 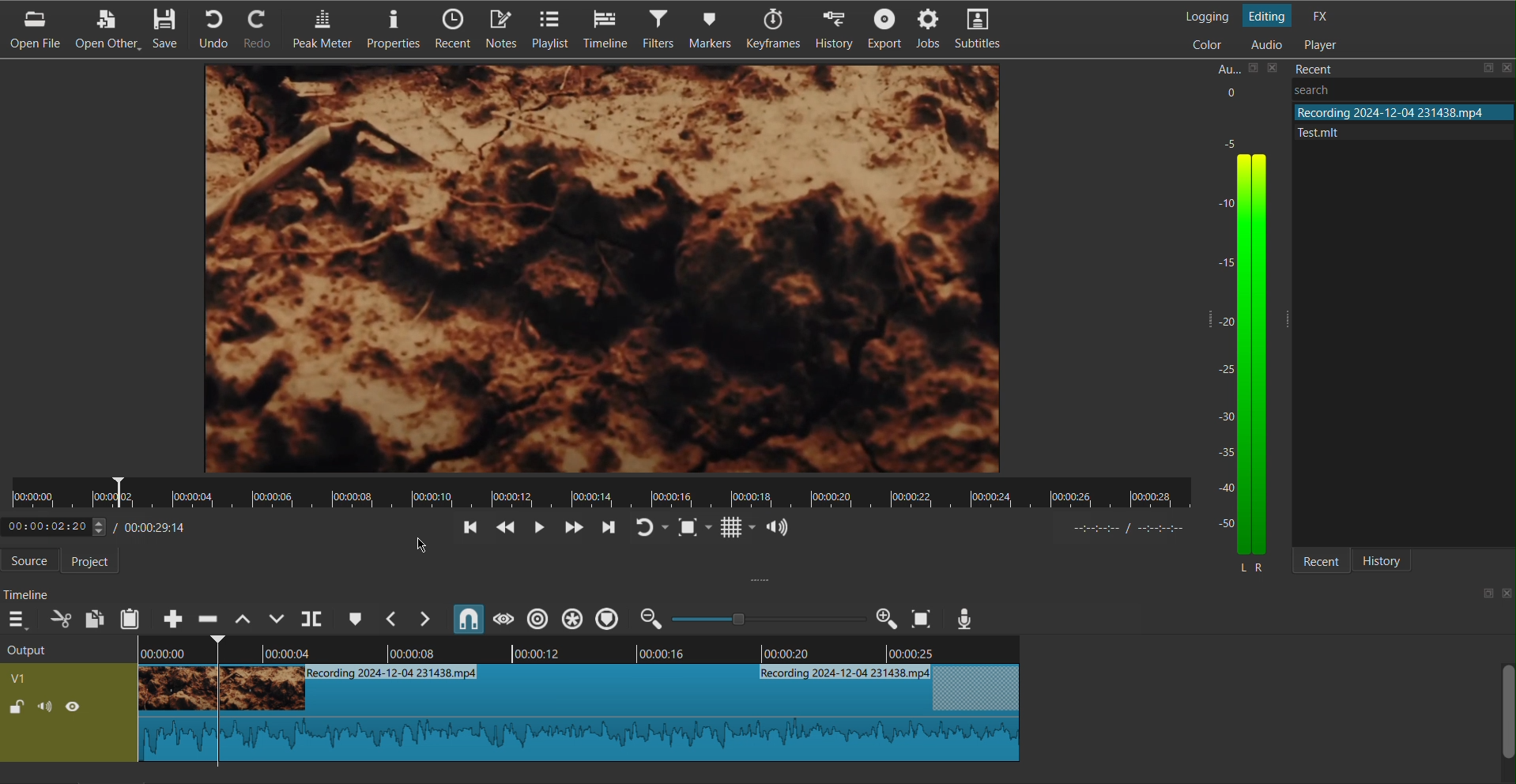 I want to click on Ripple all tracks, so click(x=571, y=618).